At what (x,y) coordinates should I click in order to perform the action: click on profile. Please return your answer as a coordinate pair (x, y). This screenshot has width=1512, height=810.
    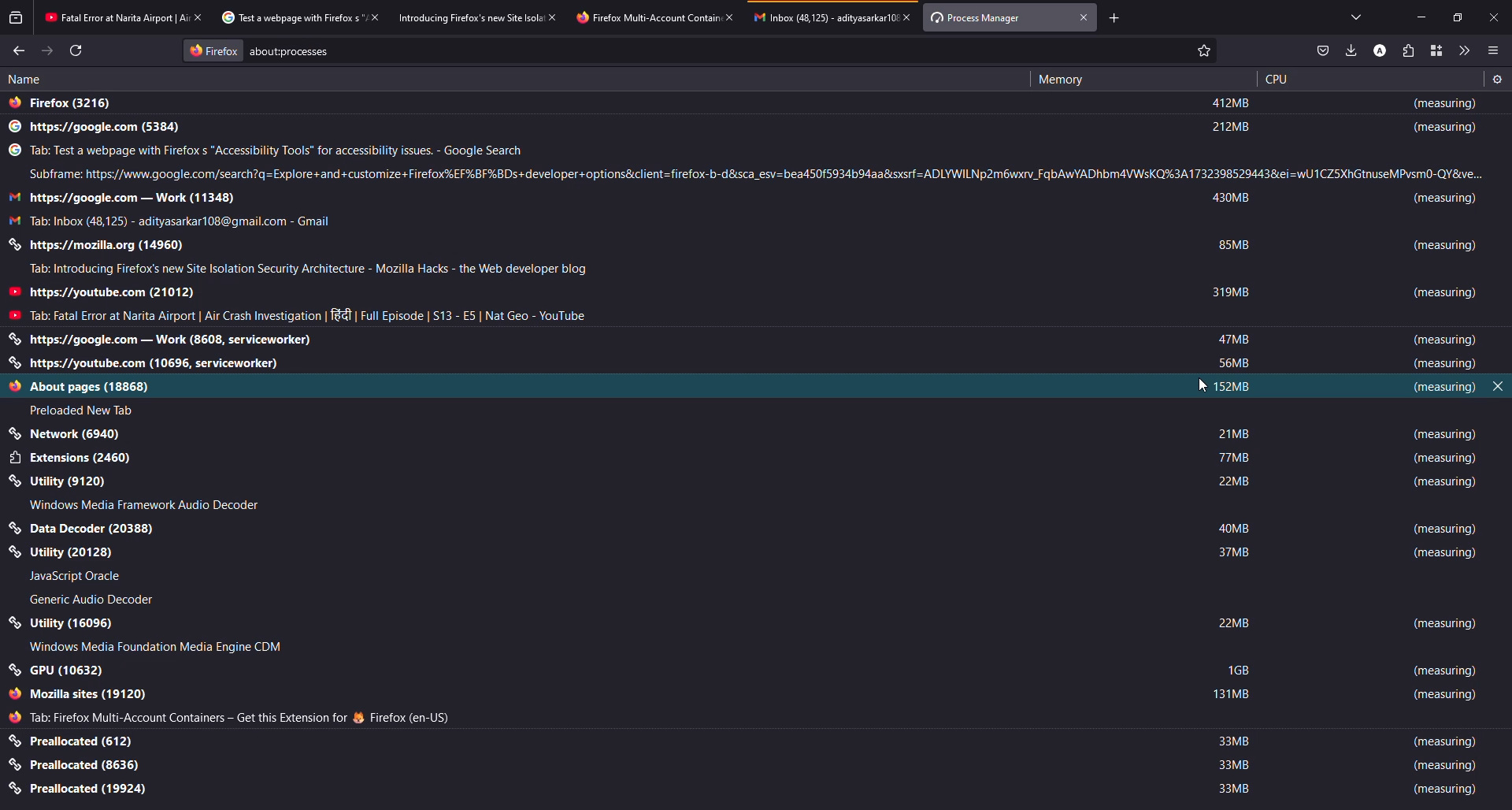
    Looking at the image, I should click on (1380, 51).